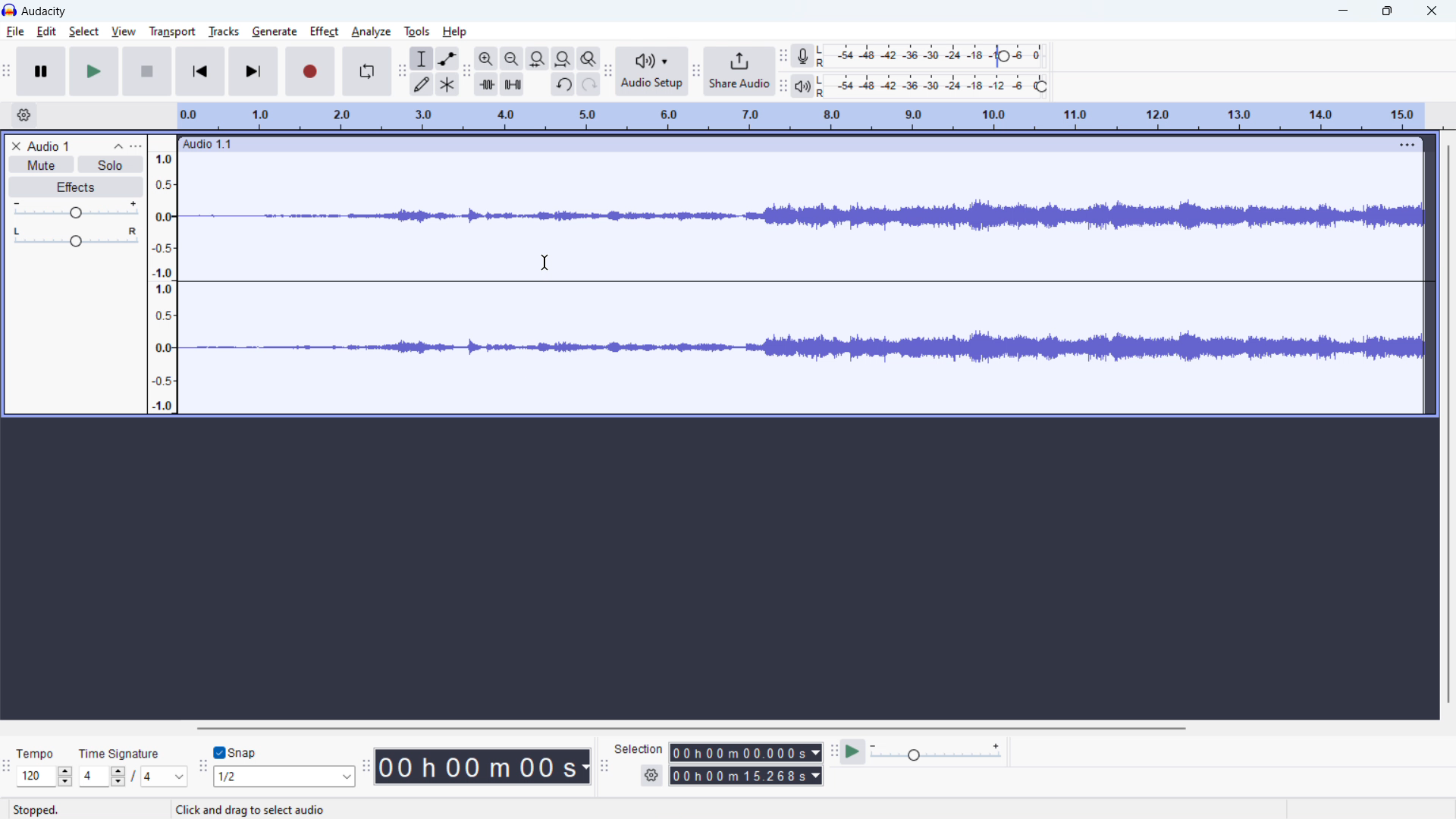 The width and height of the screenshot is (1456, 819). I want to click on horizontal scrollbar, so click(692, 729).